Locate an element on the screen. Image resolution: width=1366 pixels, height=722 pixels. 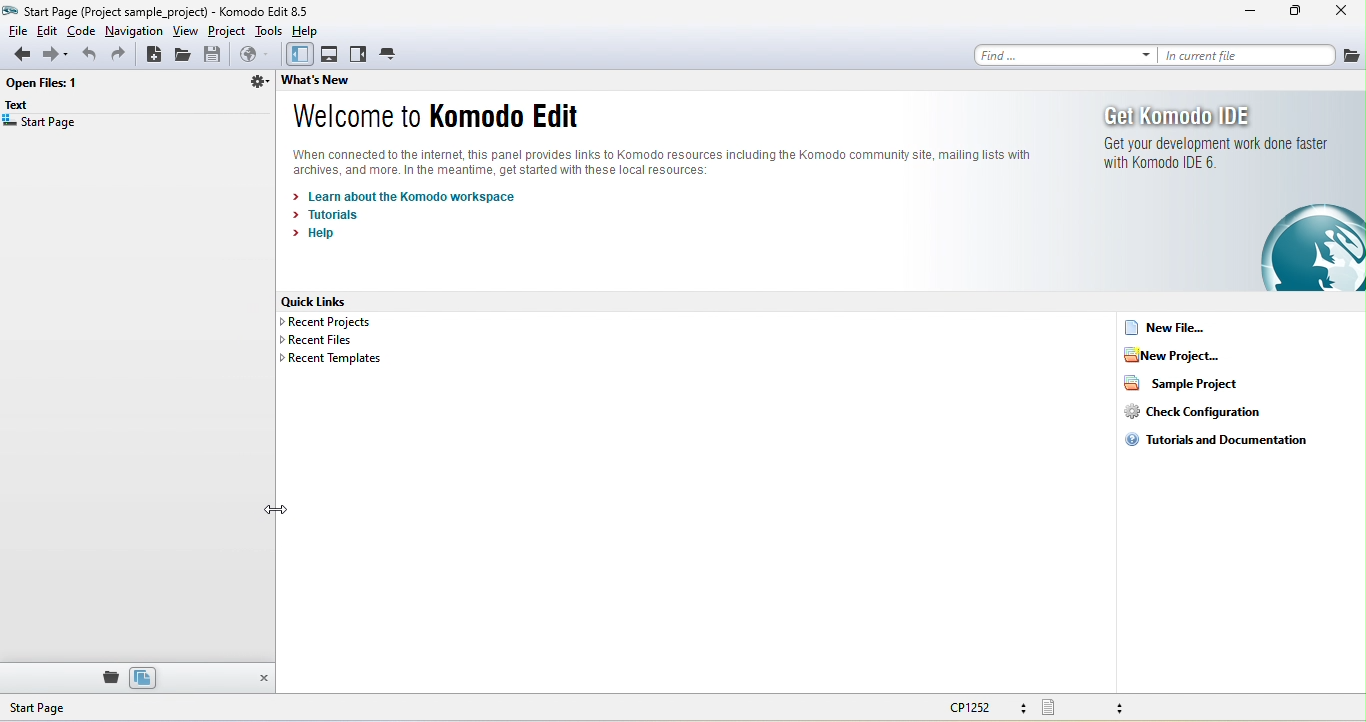
get komodo ide is located at coordinates (1216, 145).